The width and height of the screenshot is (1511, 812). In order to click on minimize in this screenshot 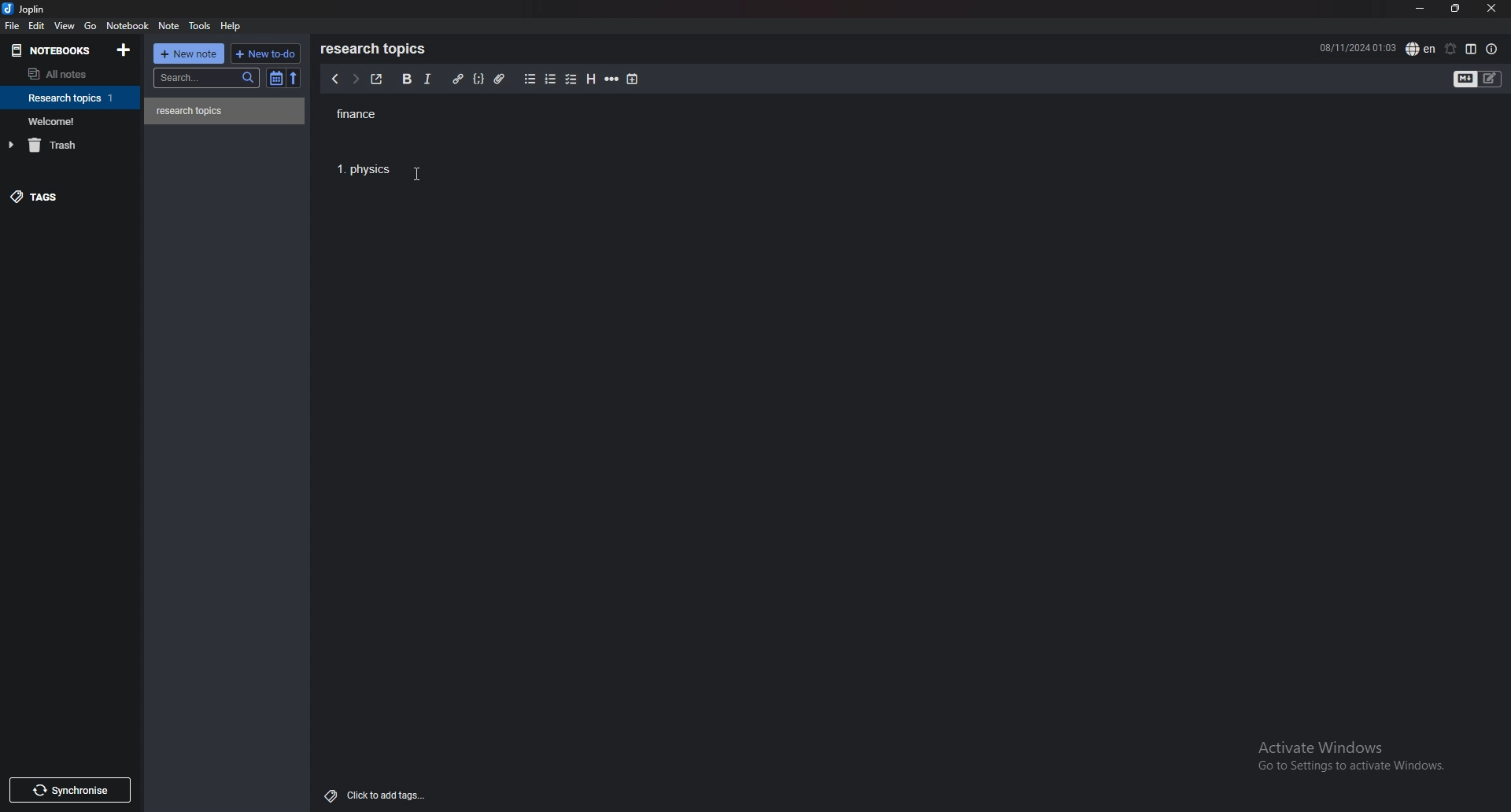, I will do `click(1419, 9)`.